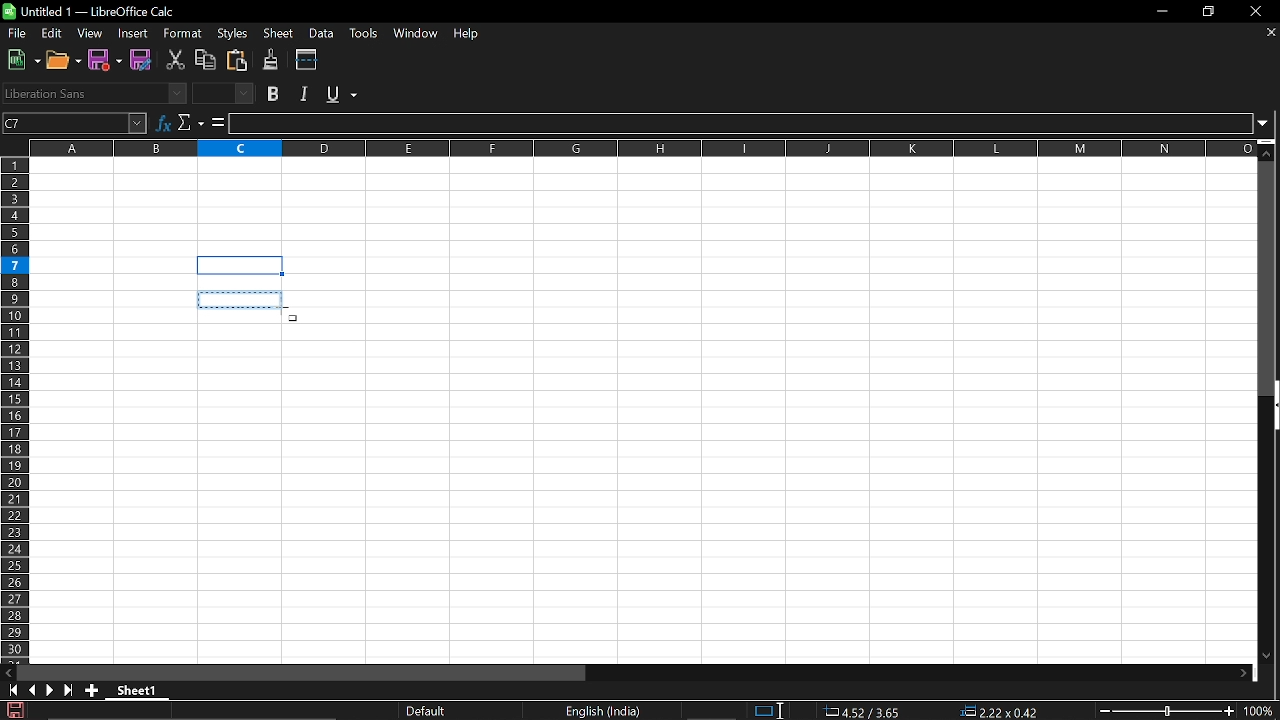 The height and width of the screenshot is (720, 1280). I want to click on Input line, so click(741, 124).